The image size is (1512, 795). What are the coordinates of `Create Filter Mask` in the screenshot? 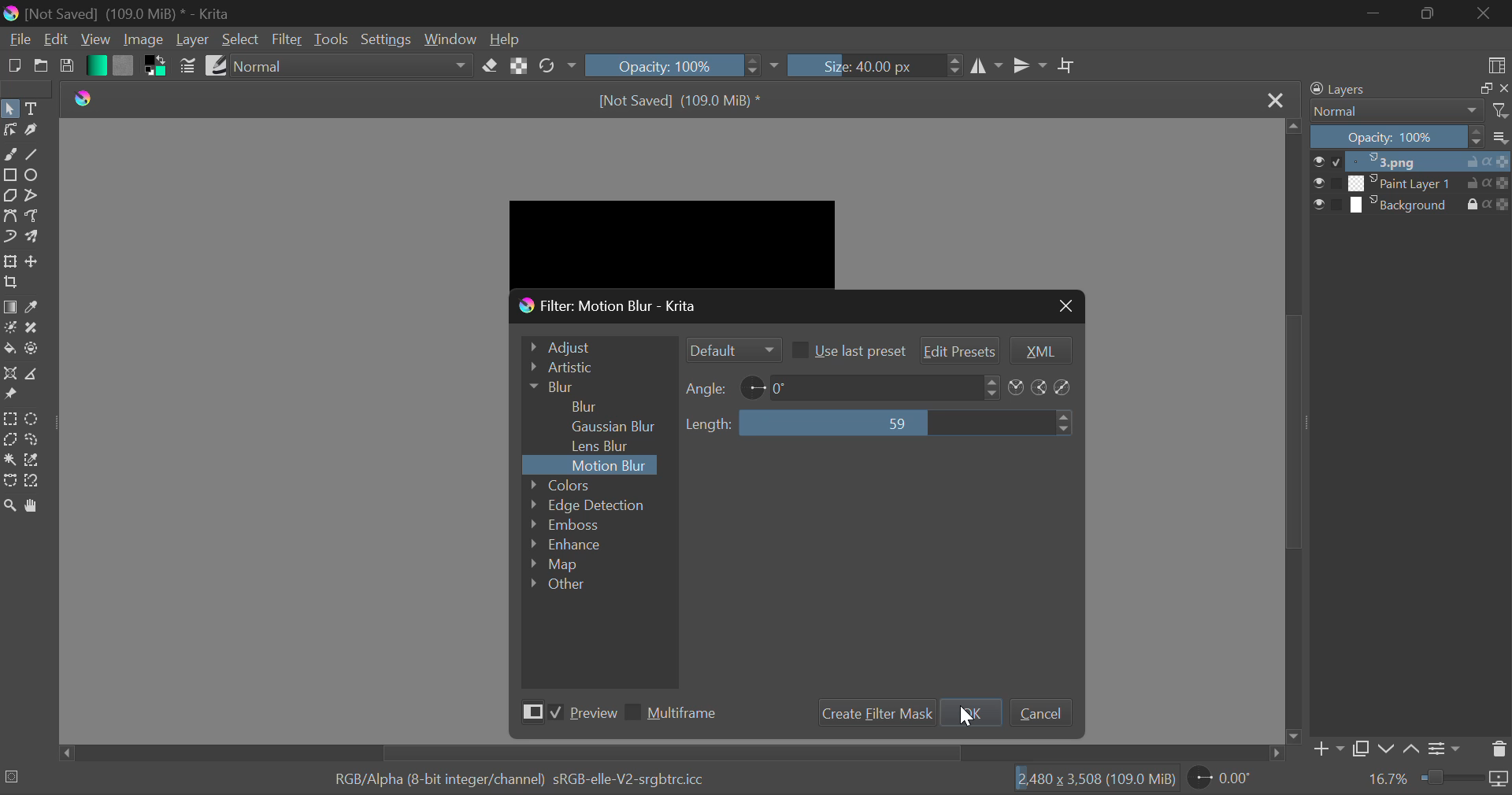 It's located at (873, 713).